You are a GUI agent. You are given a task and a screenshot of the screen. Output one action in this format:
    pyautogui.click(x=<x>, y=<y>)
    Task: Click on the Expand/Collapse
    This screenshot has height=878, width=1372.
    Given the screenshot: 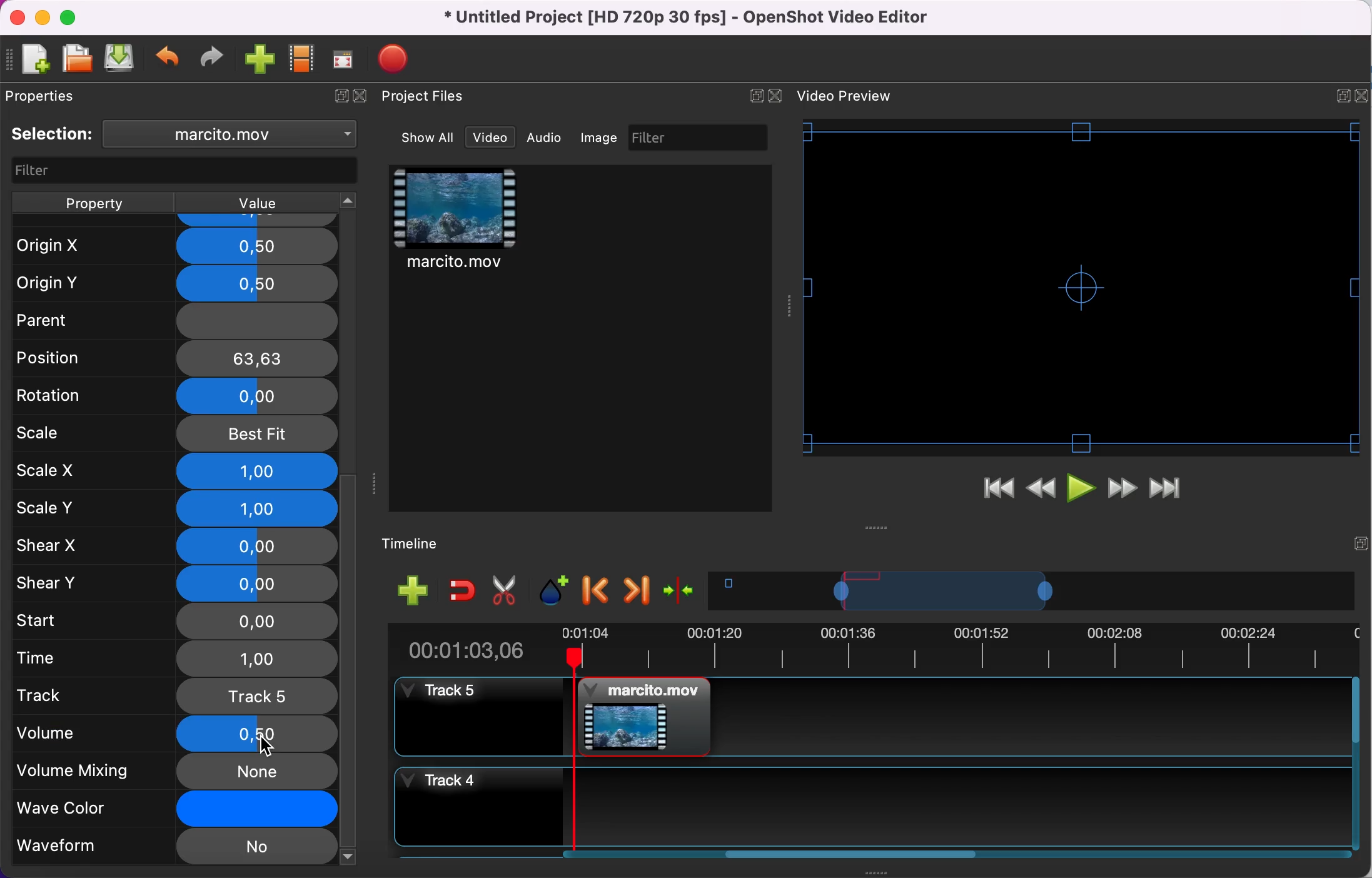 What is the action you would take?
    pyautogui.click(x=1361, y=543)
    